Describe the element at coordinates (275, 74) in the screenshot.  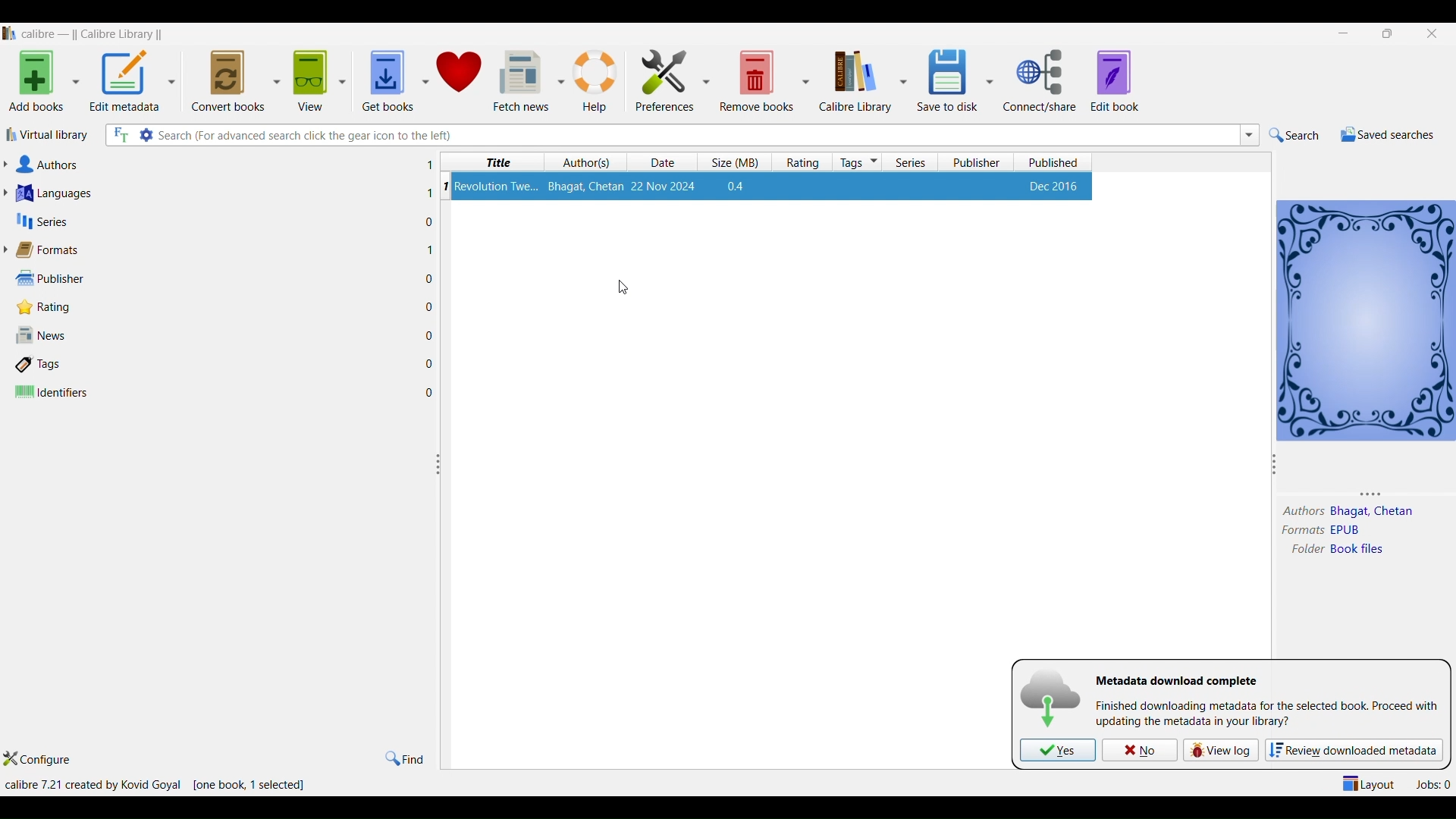
I see `convert book options dropdown button` at that location.